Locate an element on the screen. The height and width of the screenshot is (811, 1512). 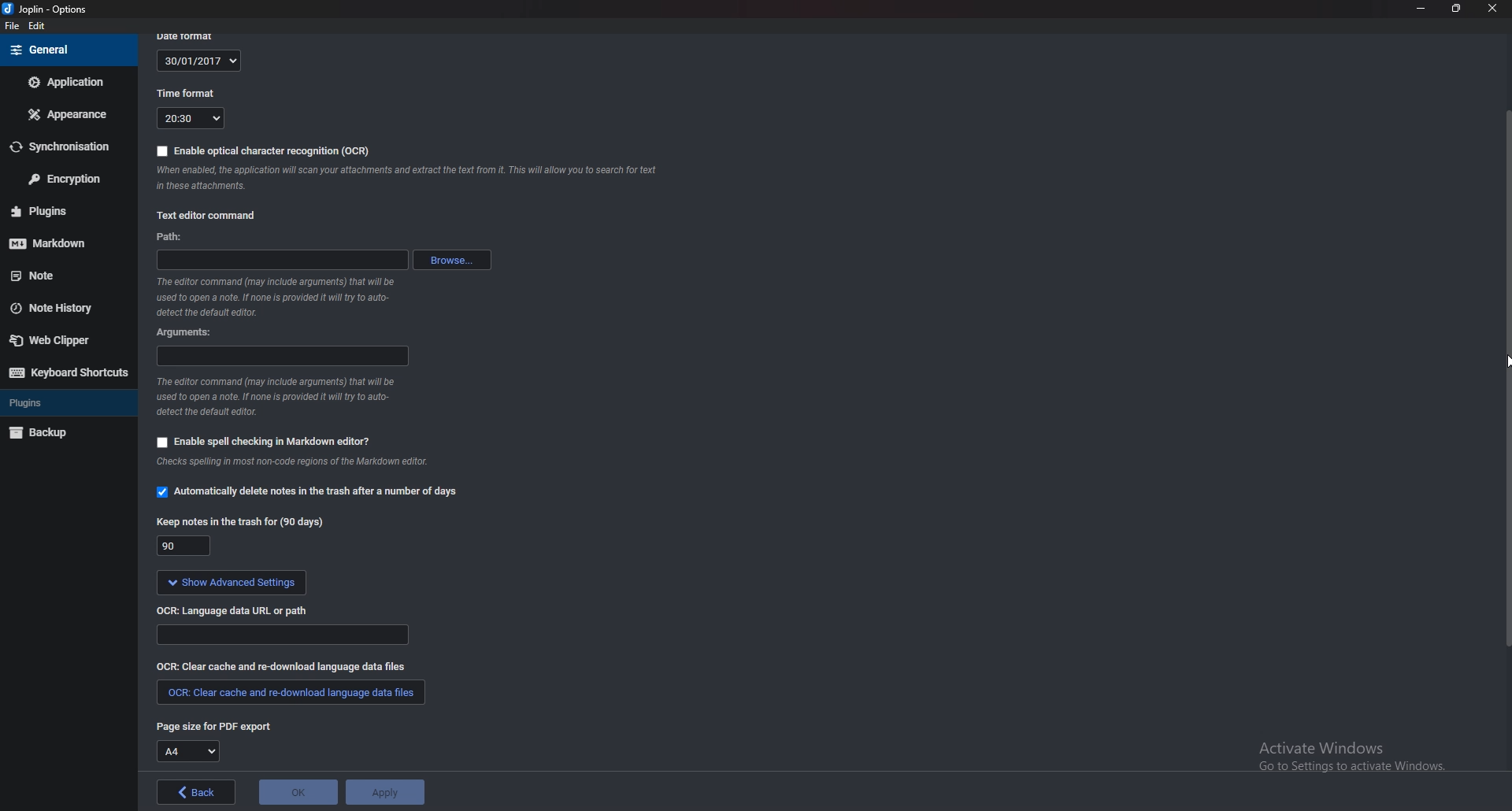
ok is located at coordinates (298, 793).